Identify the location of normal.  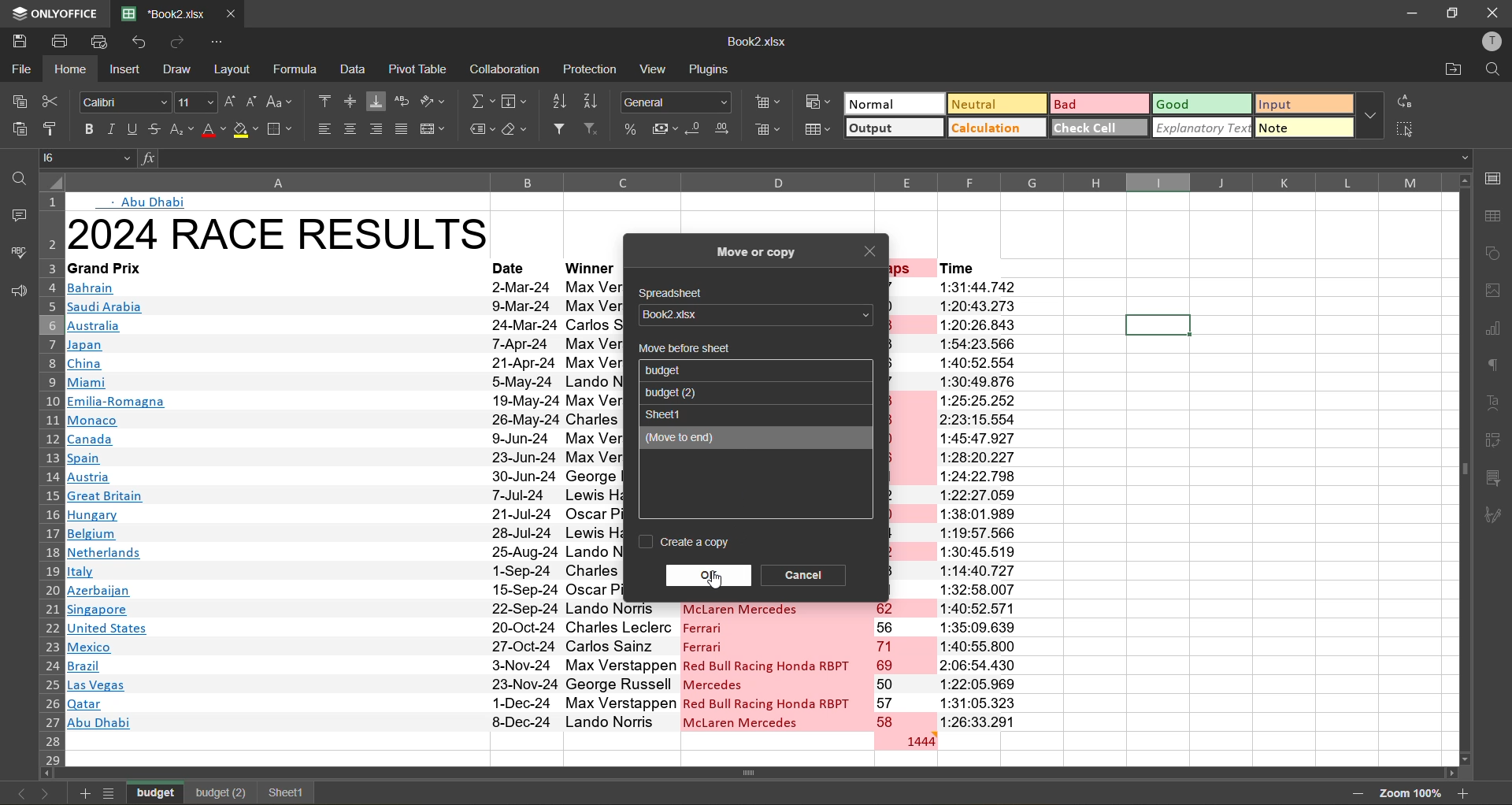
(892, 103).